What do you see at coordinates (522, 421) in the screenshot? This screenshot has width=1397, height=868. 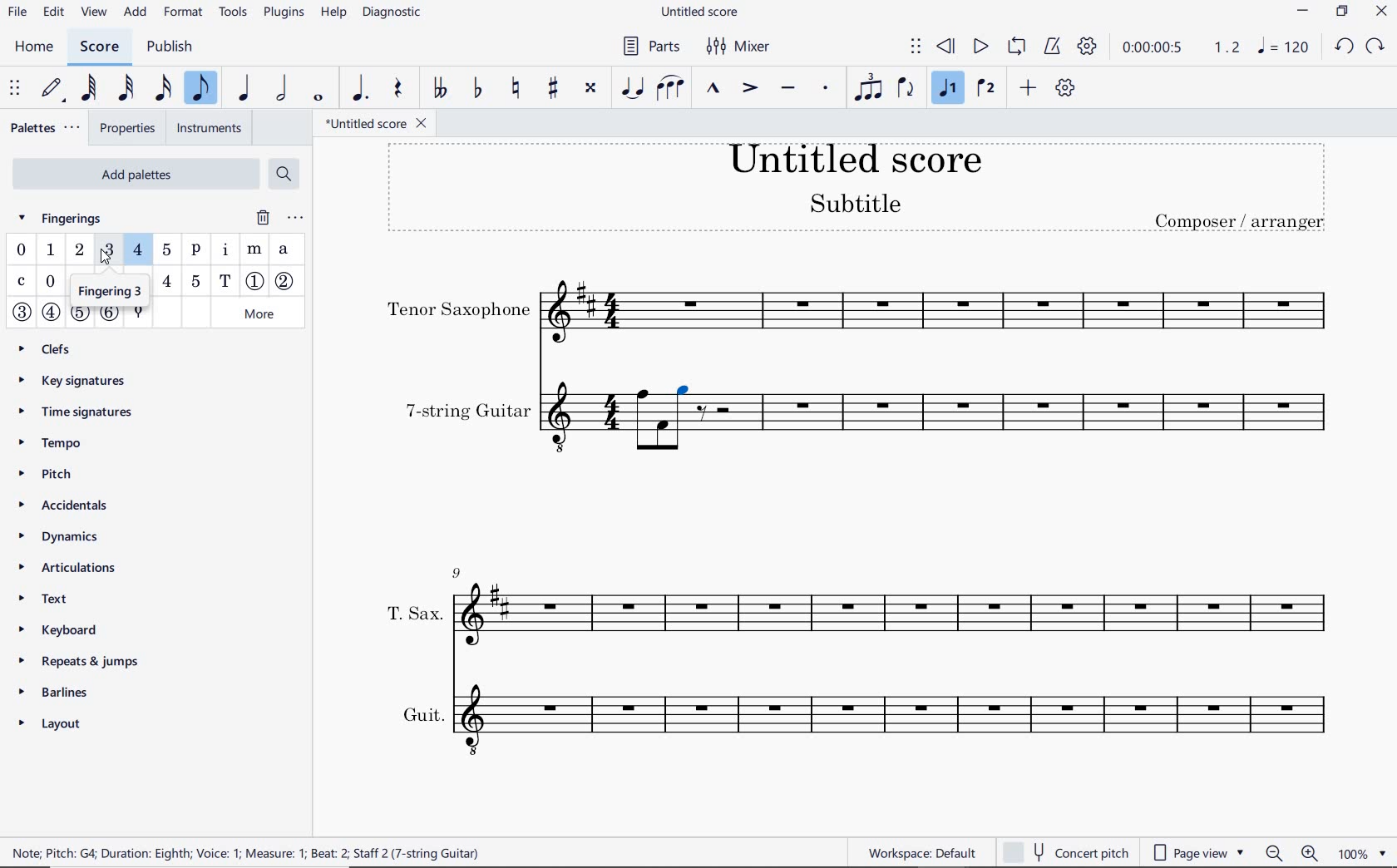 I see `INSTRUMENT: 7-STRING GUITAR` at bounding box center [522, 421].